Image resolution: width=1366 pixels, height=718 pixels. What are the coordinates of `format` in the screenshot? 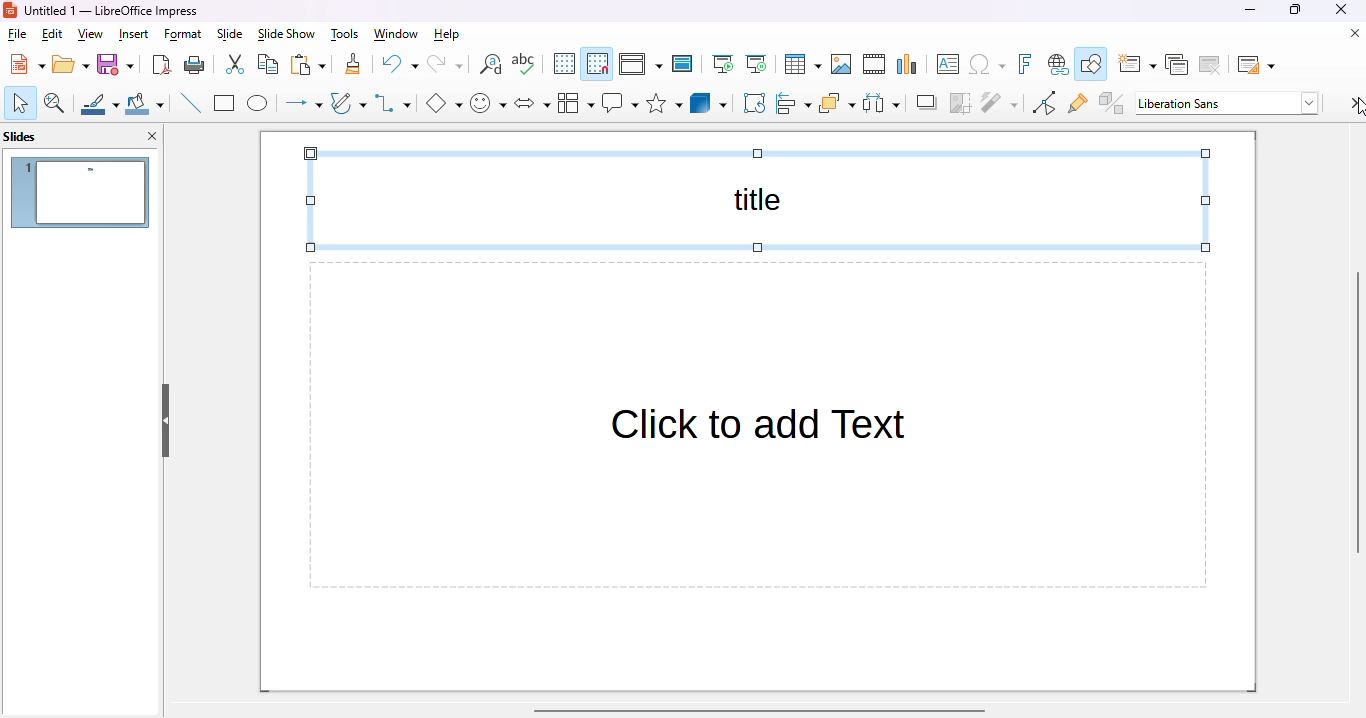 It's located at (183, 35).